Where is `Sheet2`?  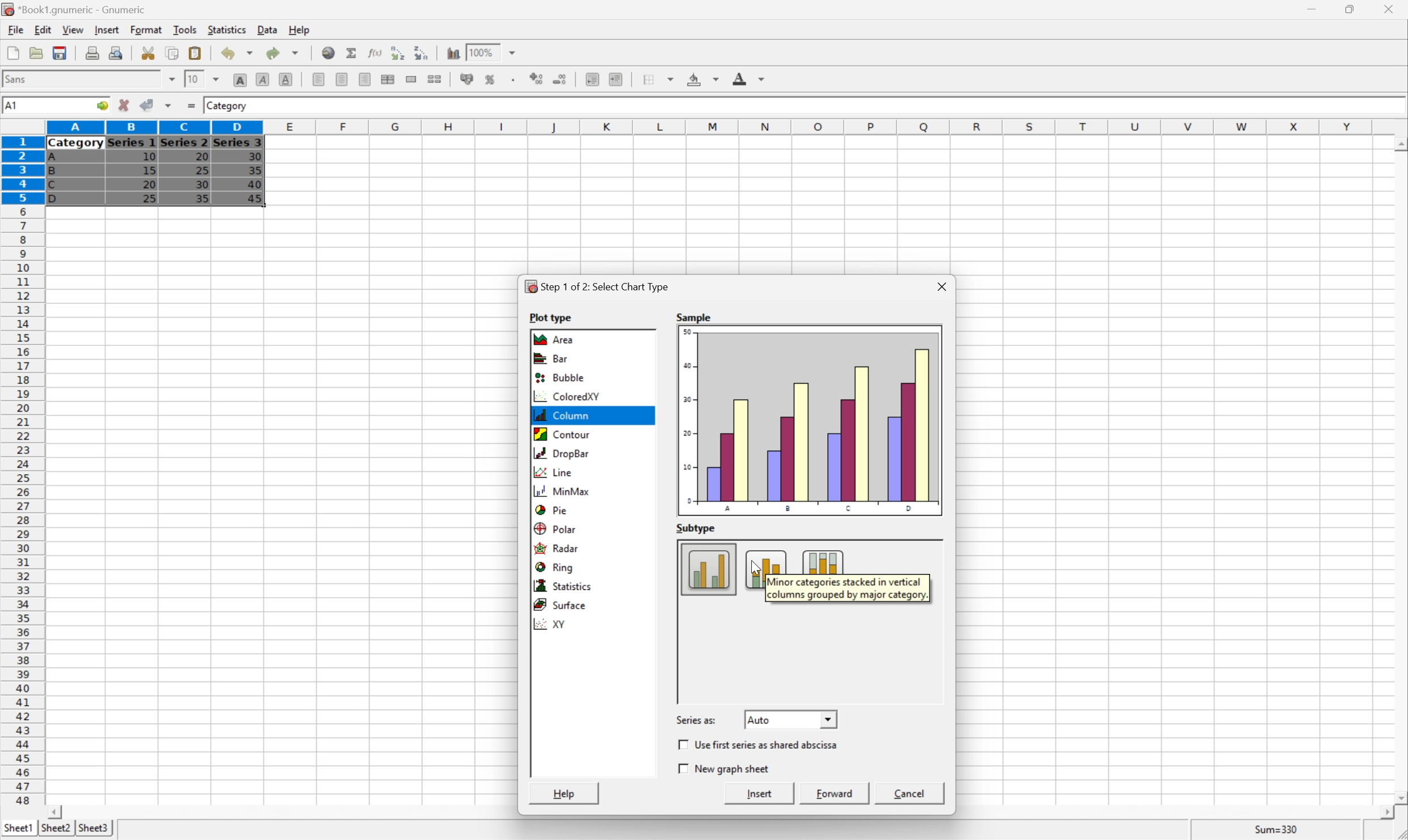
Sheet2 is located at coordinates (55, 828).